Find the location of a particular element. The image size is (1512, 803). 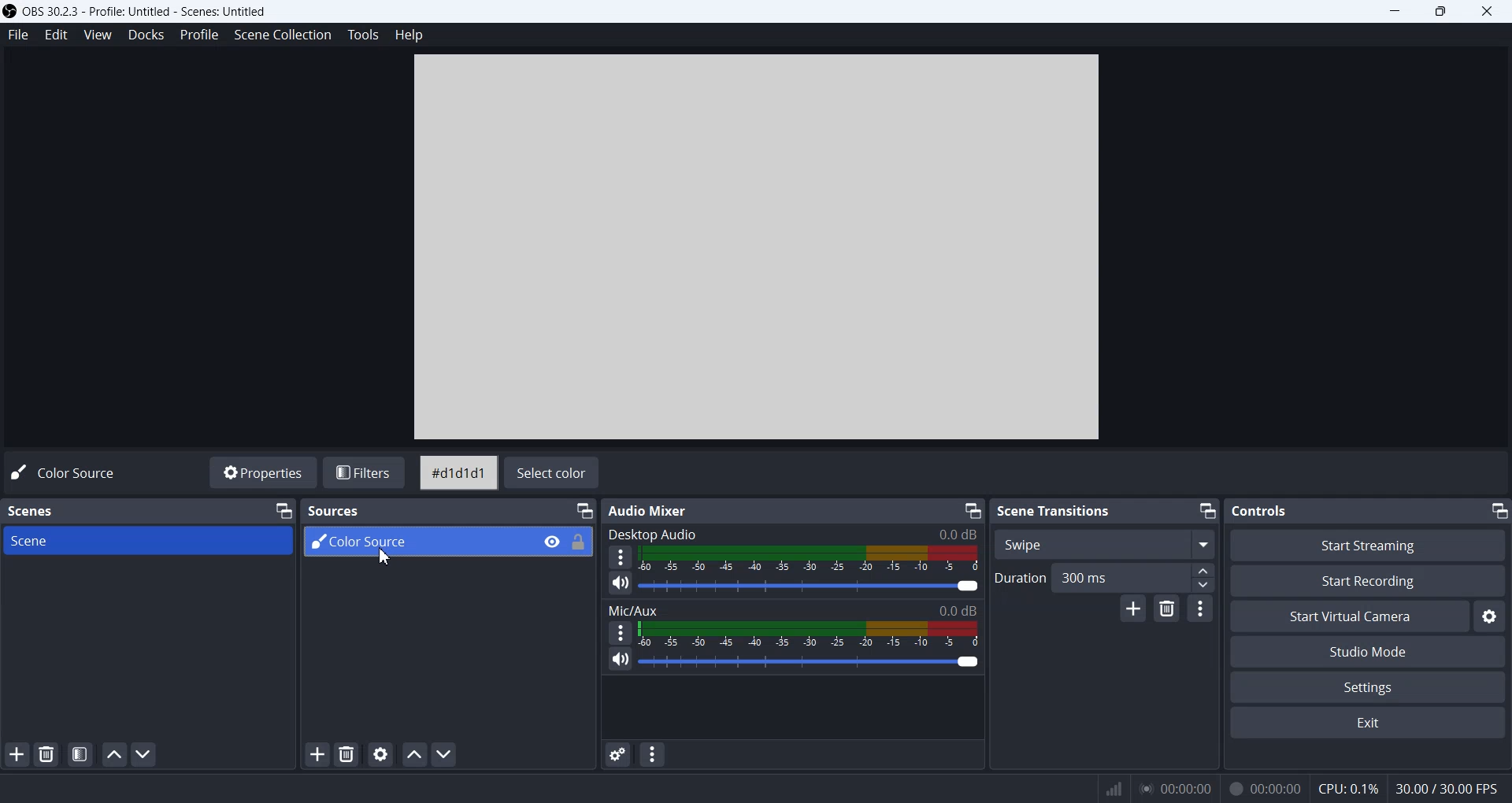

Sources is located at coordinates (332, 511).